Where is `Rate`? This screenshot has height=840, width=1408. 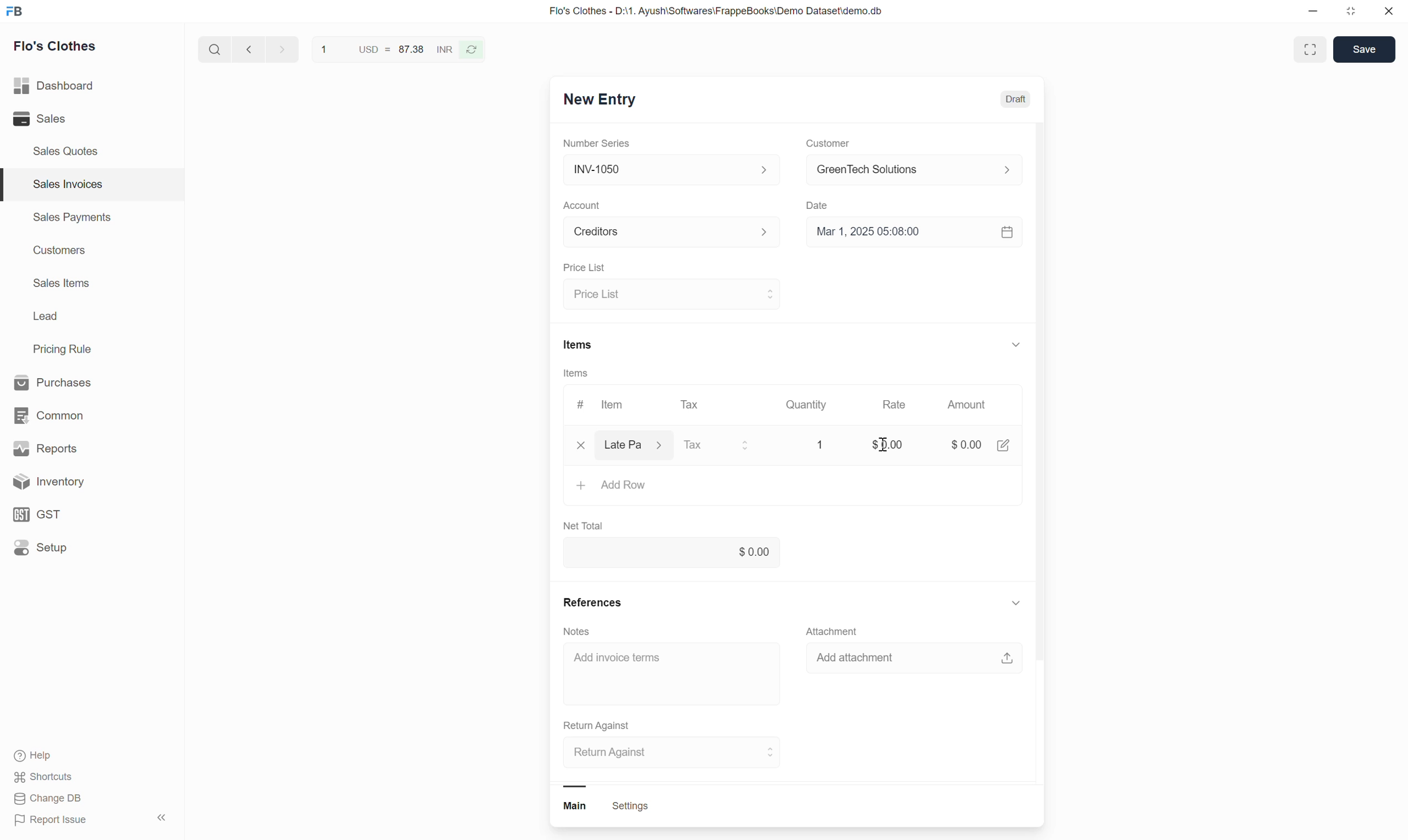
Rate is located at coordinates (896, 406).